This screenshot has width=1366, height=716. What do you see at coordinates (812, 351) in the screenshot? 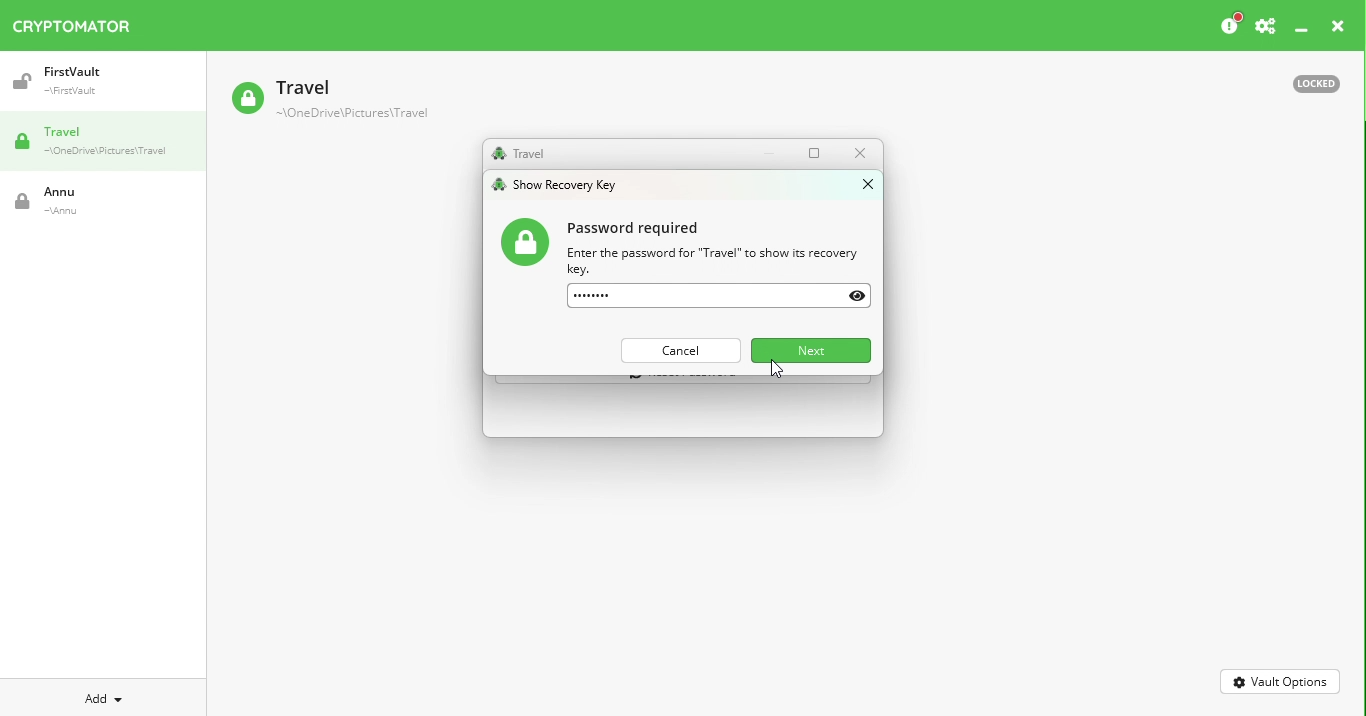
I see `Next` at bounding box center [812, 351].